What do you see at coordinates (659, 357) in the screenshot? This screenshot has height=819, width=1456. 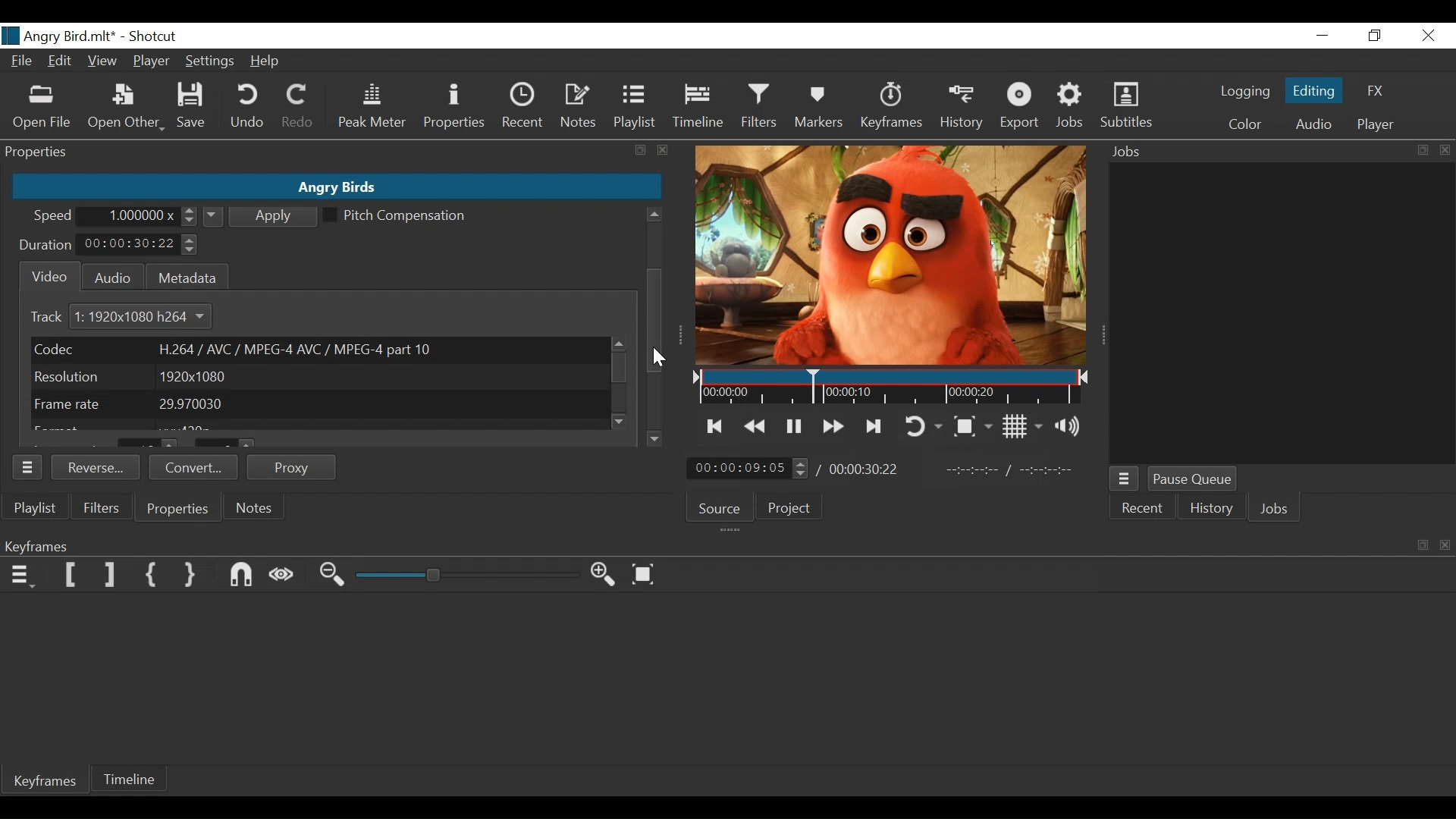 I see `Cursor` at bounding box center [659, 357].